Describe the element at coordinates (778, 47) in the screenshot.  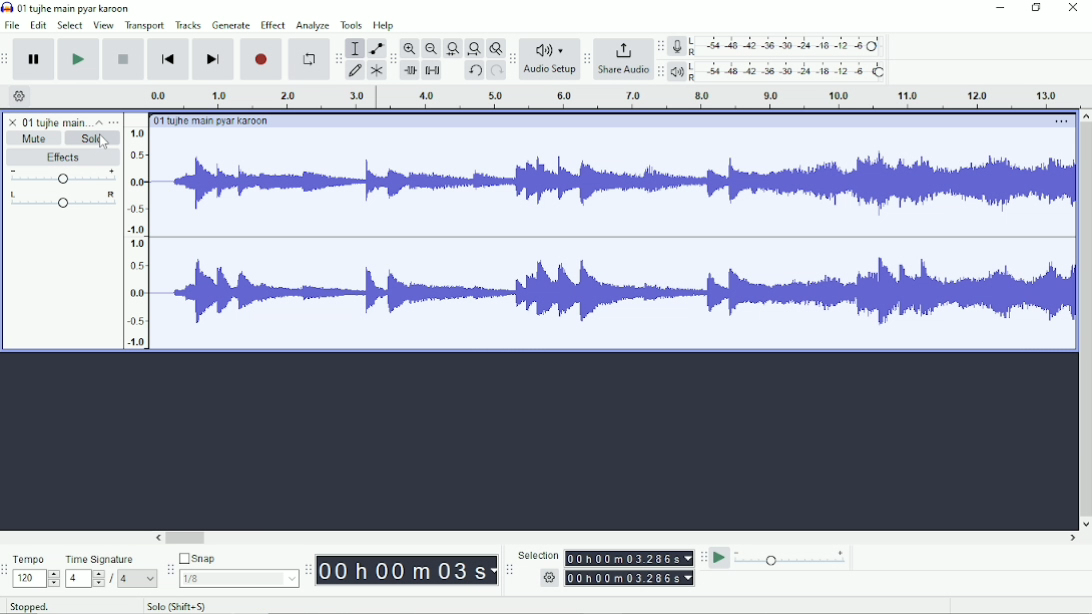
I see `Record meter` at that location.